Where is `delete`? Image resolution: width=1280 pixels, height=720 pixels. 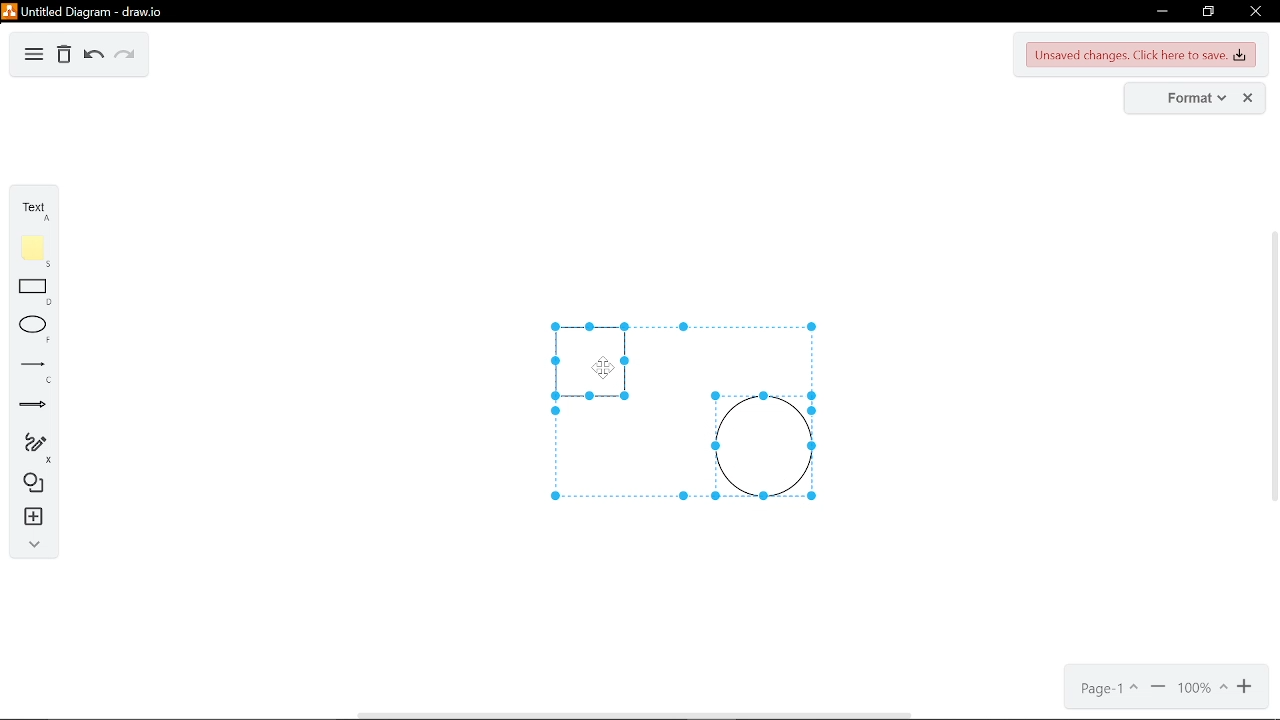
delete is located at coordinates (65, 57).